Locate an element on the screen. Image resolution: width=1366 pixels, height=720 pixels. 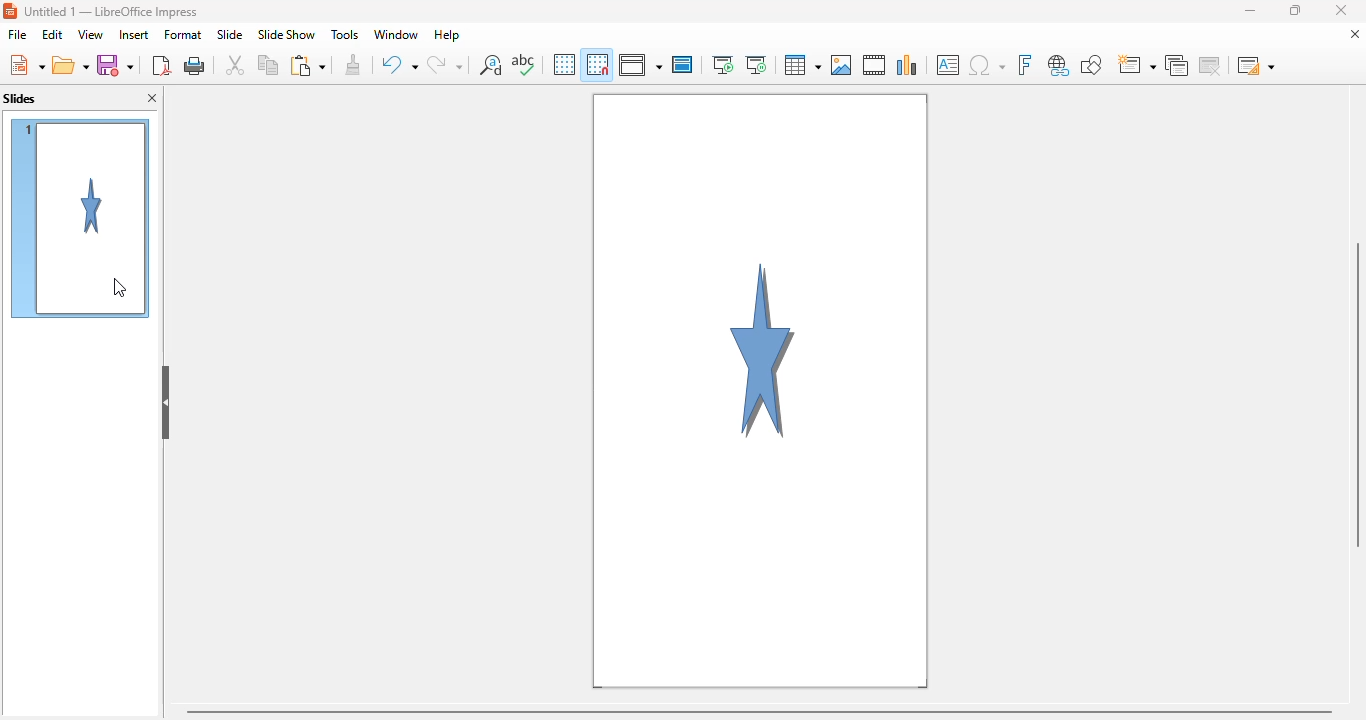
redo is located at coordinates (445, 63).